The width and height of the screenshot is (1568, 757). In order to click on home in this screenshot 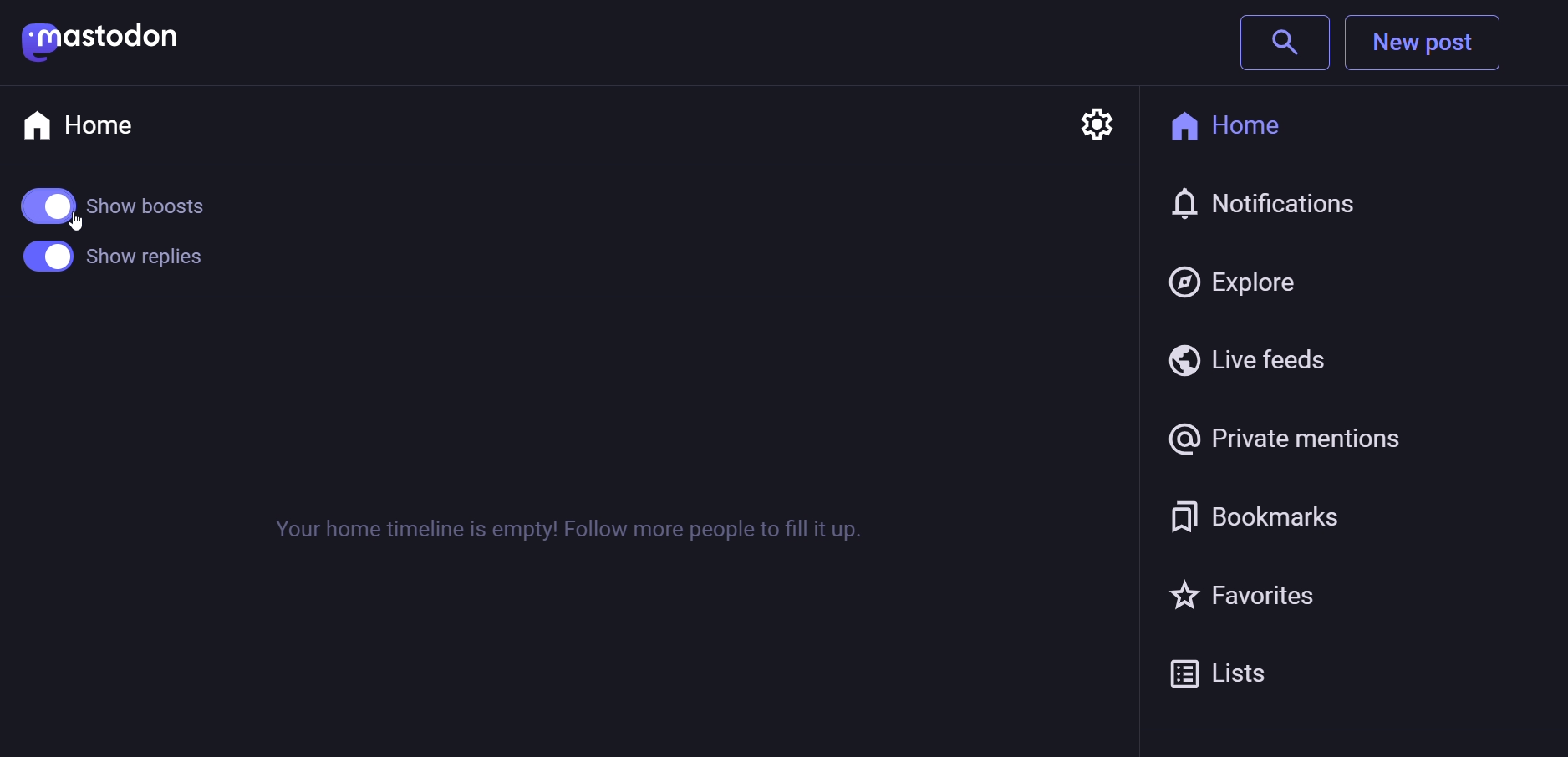, I will do `click(86, 124)`.